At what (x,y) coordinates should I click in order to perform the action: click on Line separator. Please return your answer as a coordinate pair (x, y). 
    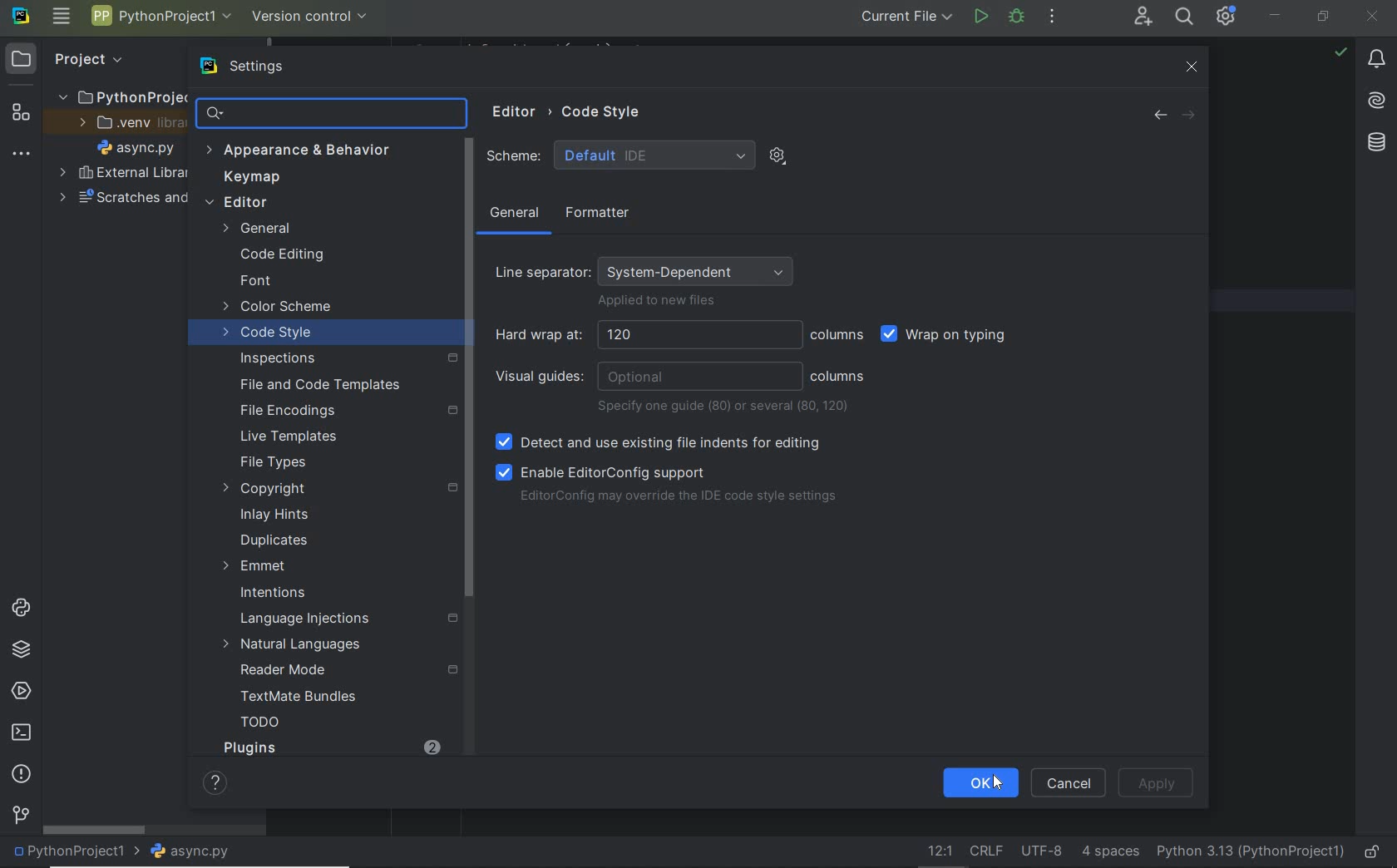
    Looking at the image, I should click on (648, 267).